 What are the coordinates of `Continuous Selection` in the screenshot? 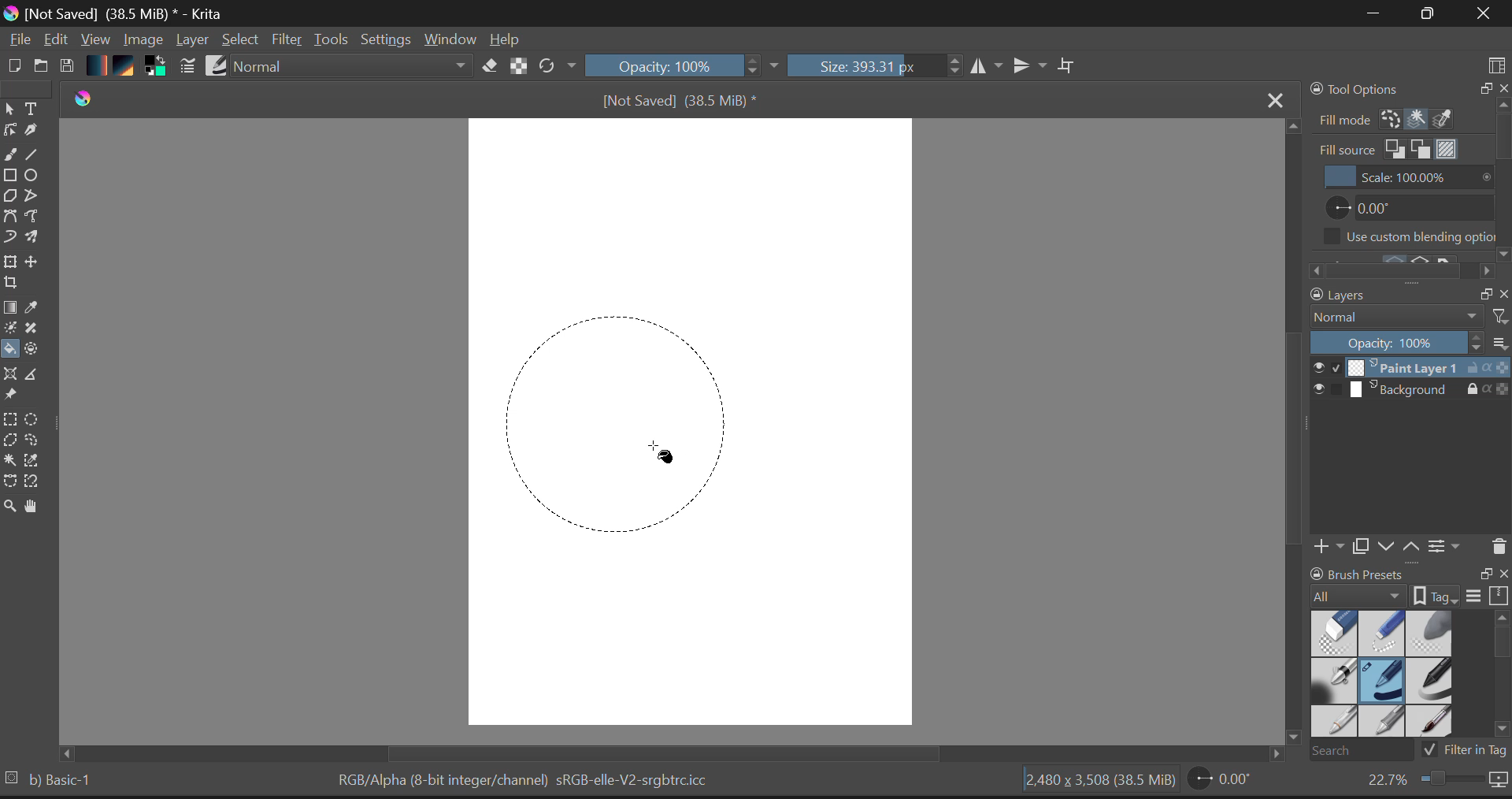 It's located at (13, 461).